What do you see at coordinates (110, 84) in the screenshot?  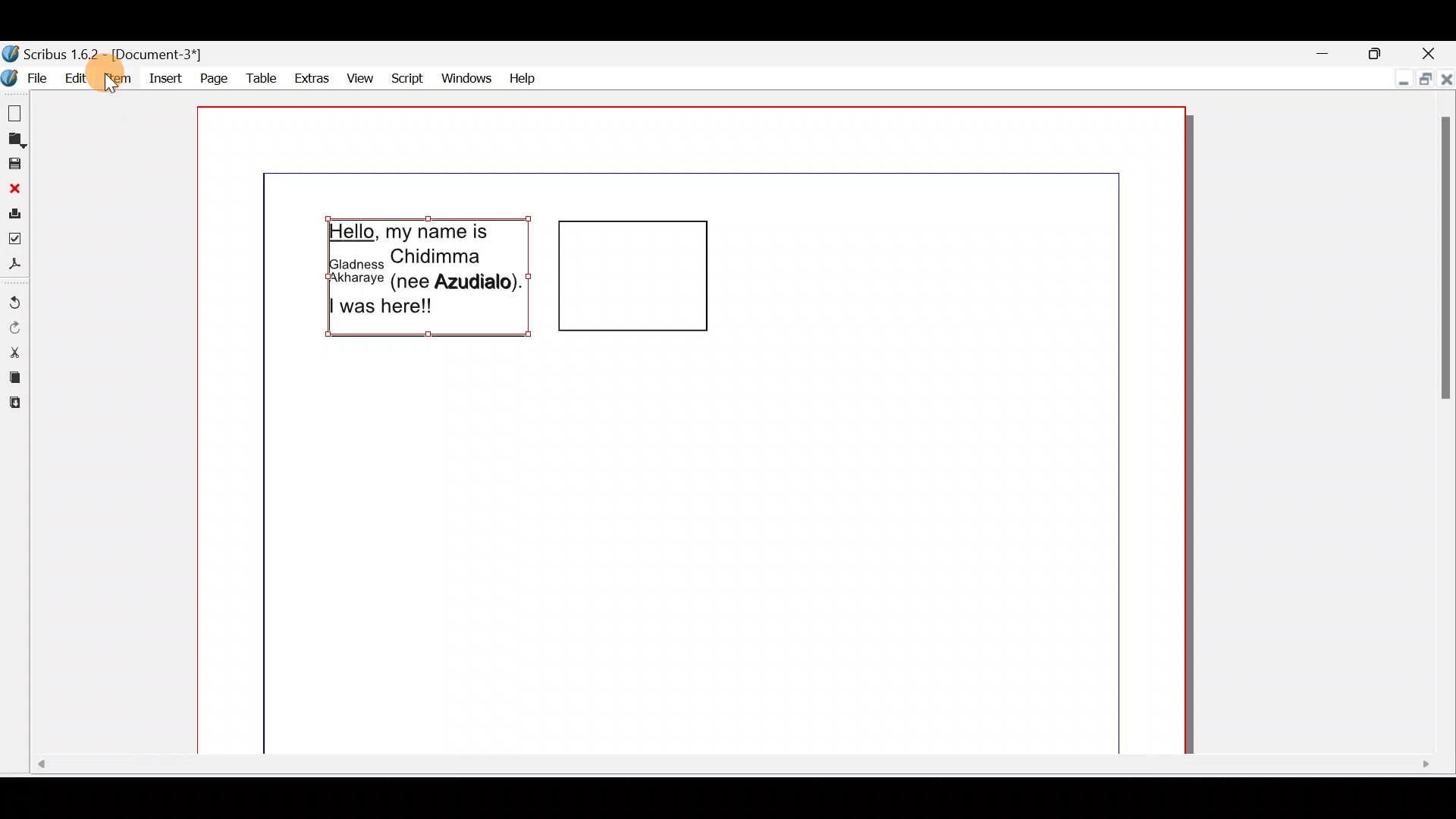 I see `Cursor` at bounding box center [110, 84].